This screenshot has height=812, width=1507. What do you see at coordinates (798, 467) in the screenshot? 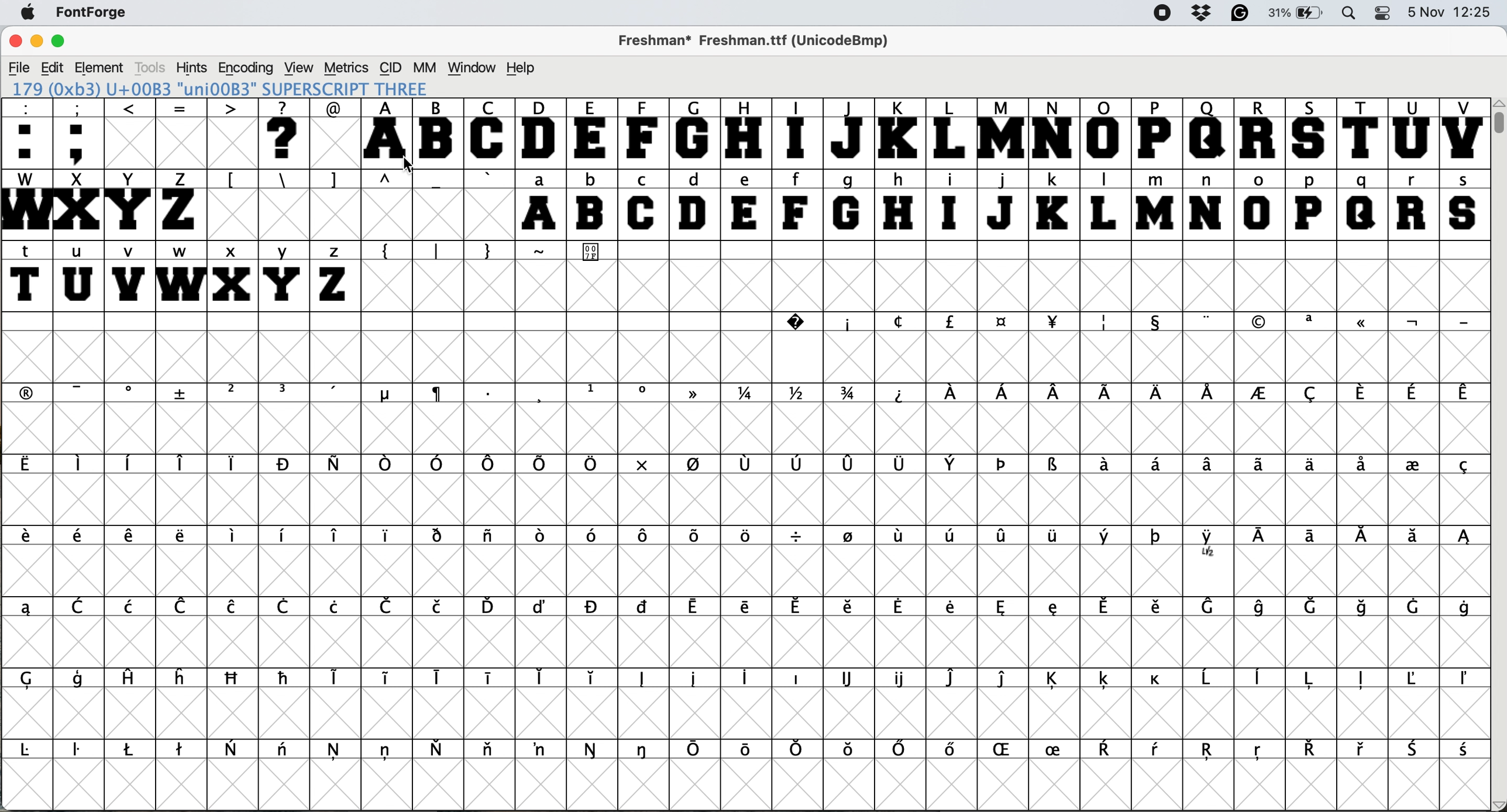
I see `symbol` at bounding box center [798, 467].